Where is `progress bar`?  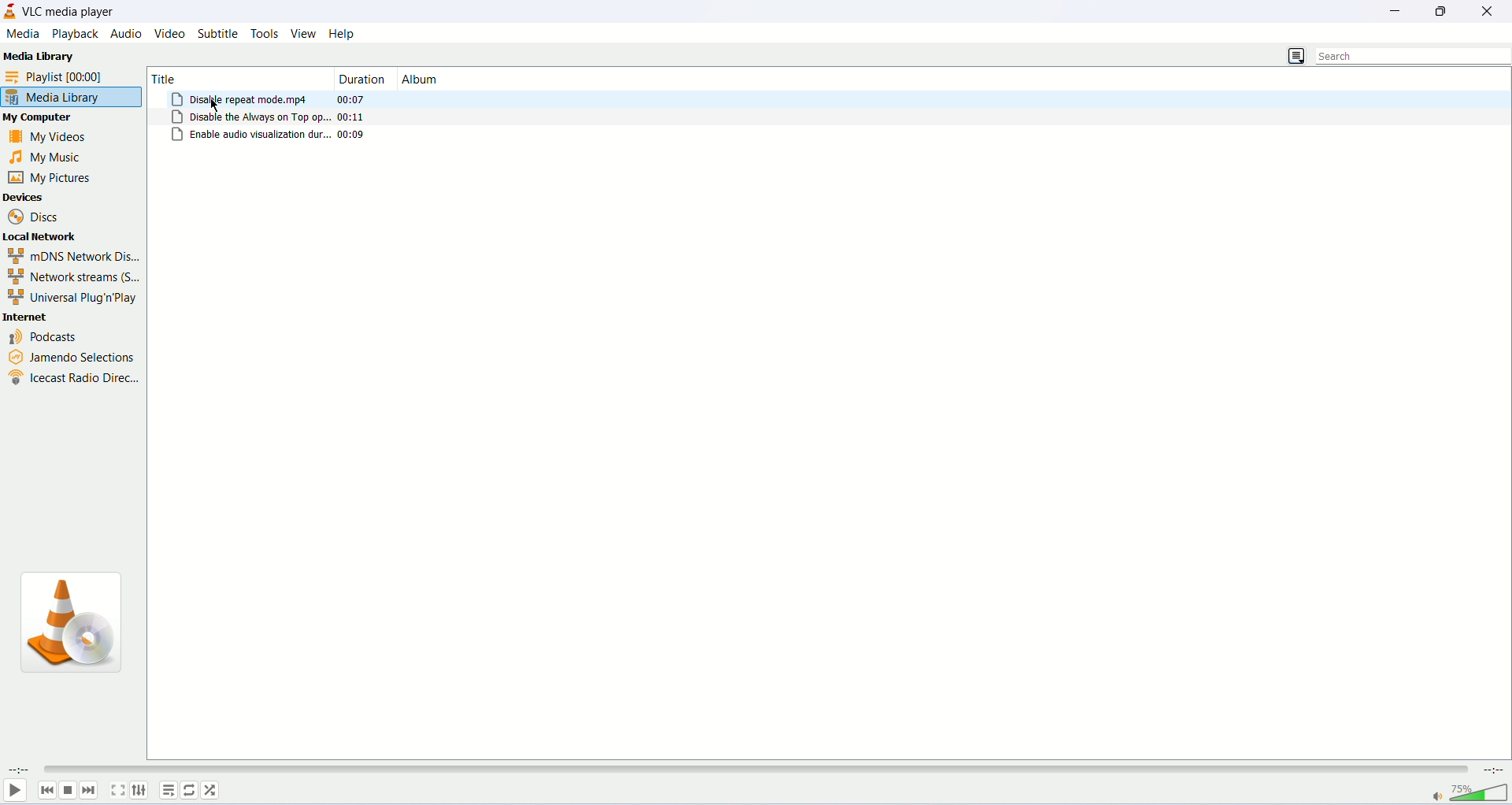
progress bar is located at coordinates (753, 770).